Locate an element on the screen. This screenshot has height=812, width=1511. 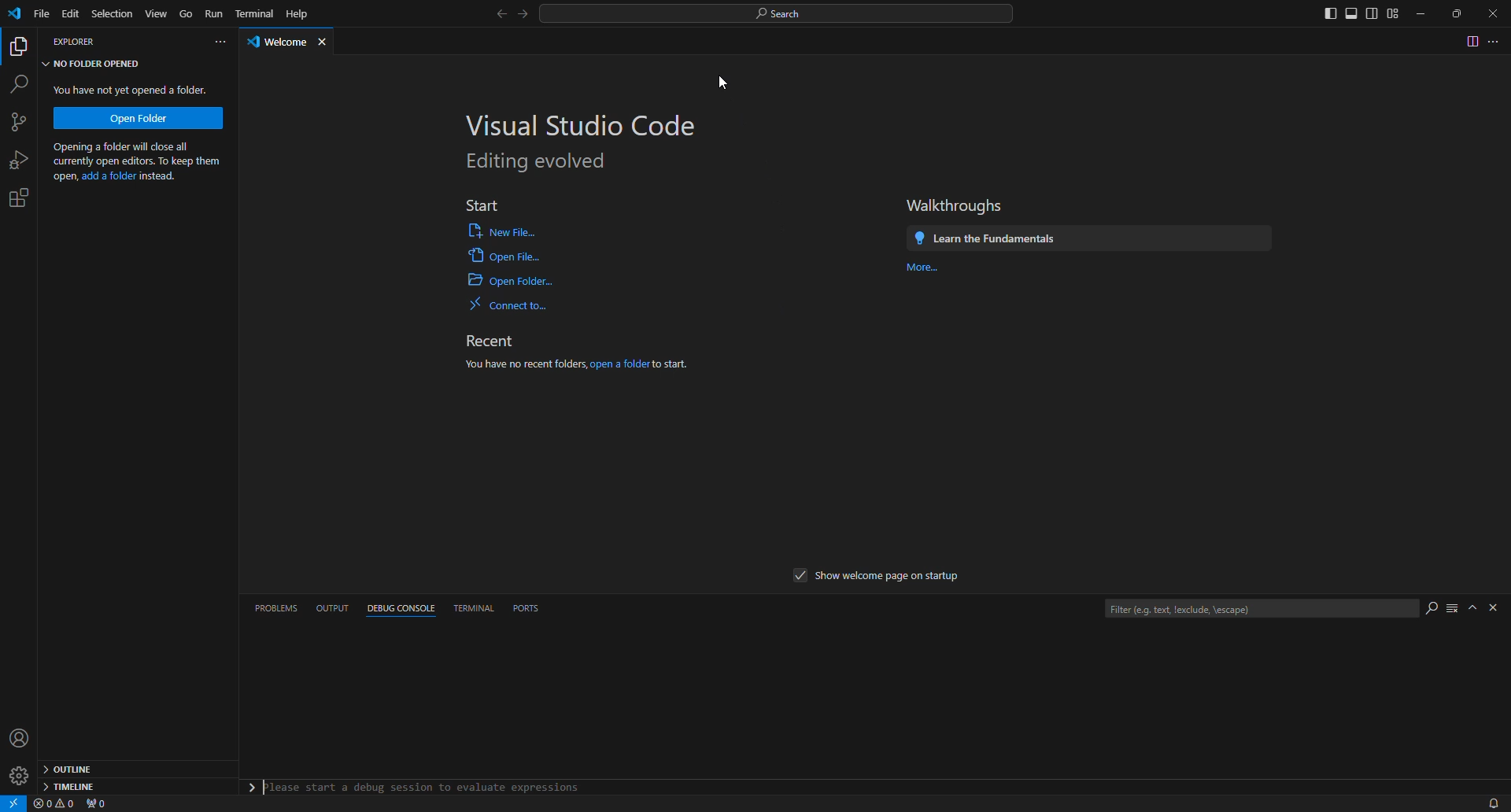
New File is located at coordinates (511, 232).